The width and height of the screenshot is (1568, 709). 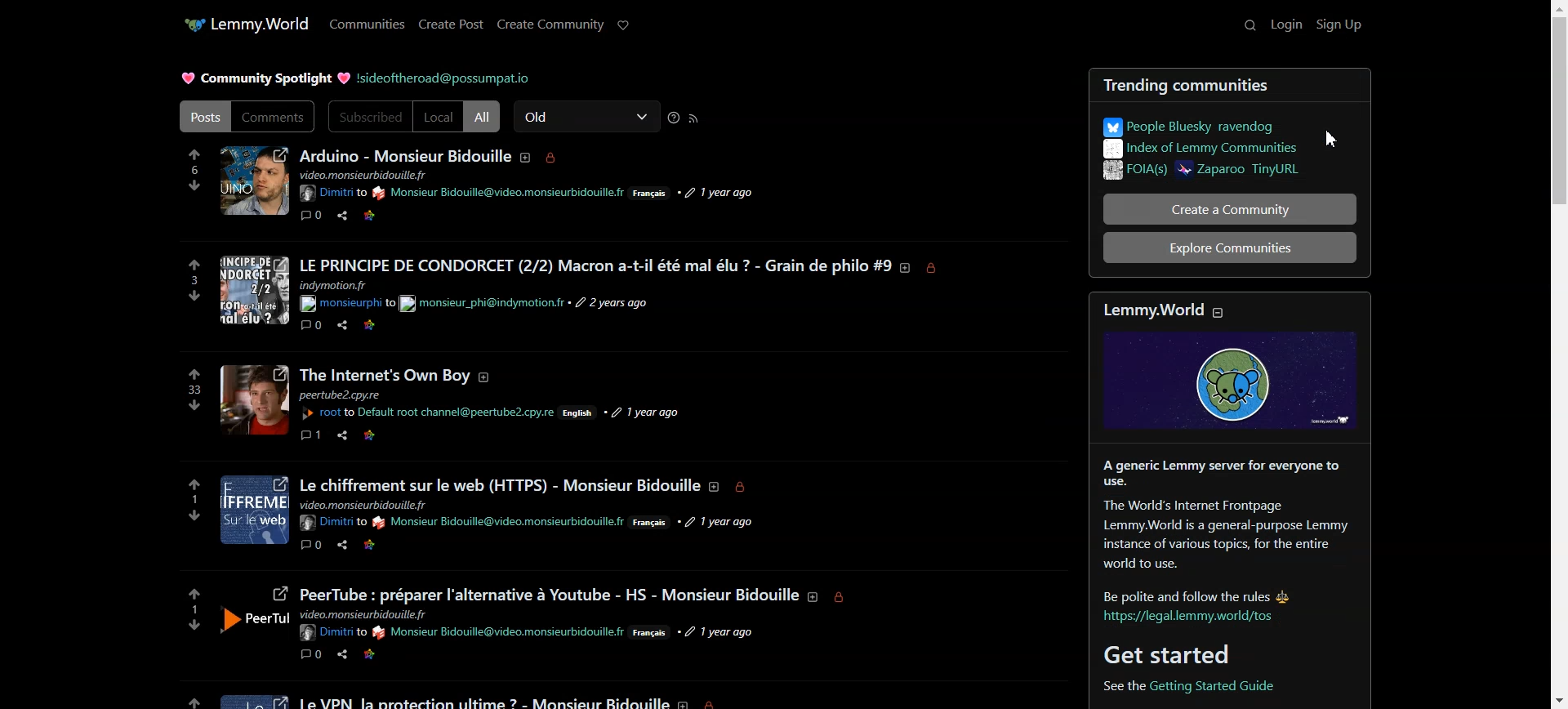 I want to click on image, so click(x=252, y=698).